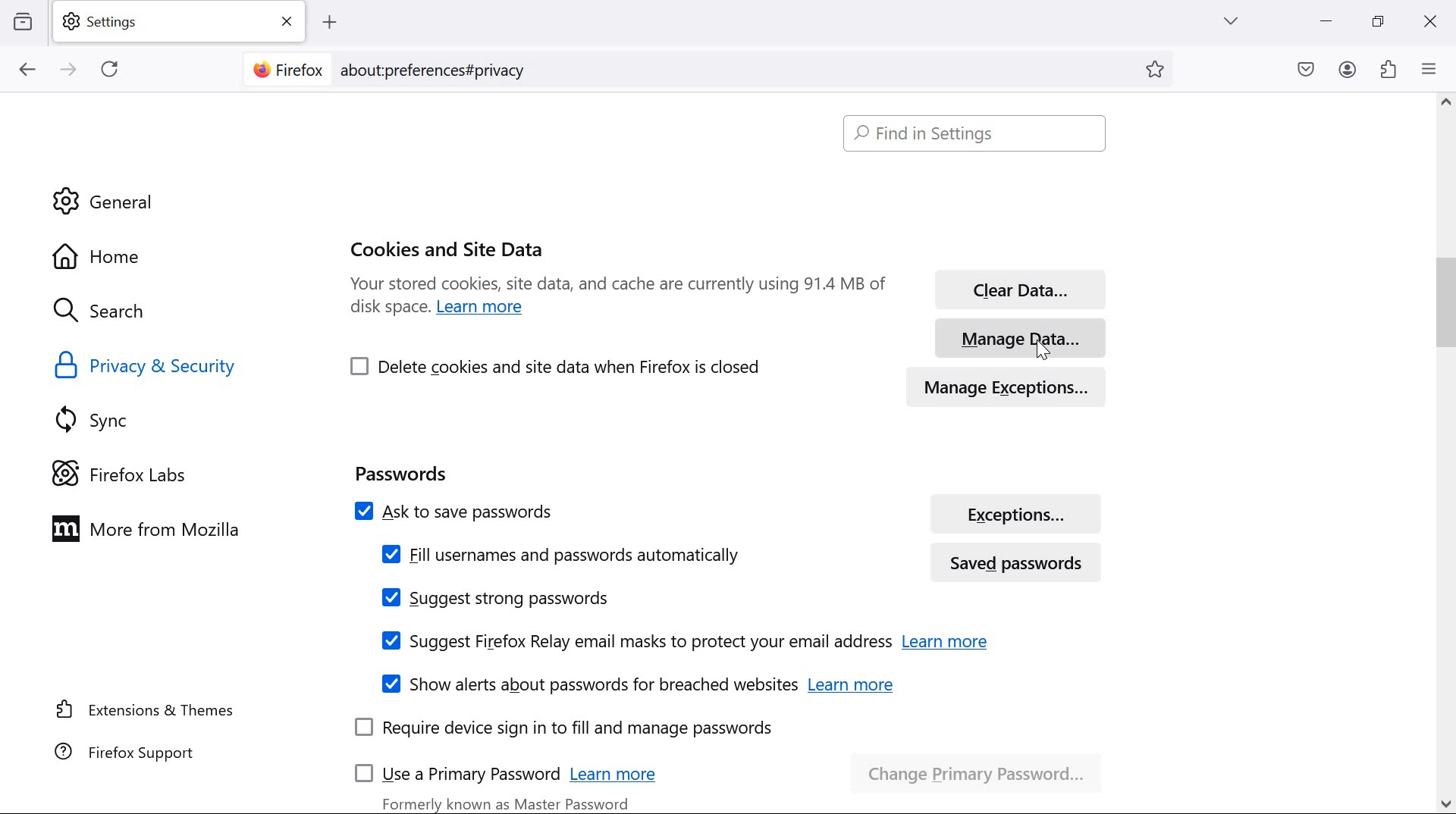 This screenshot has height=814, width=1456. Describe the element at coordinates (1160, 70) in the screenshot. I see `bookmark this page` at that location.